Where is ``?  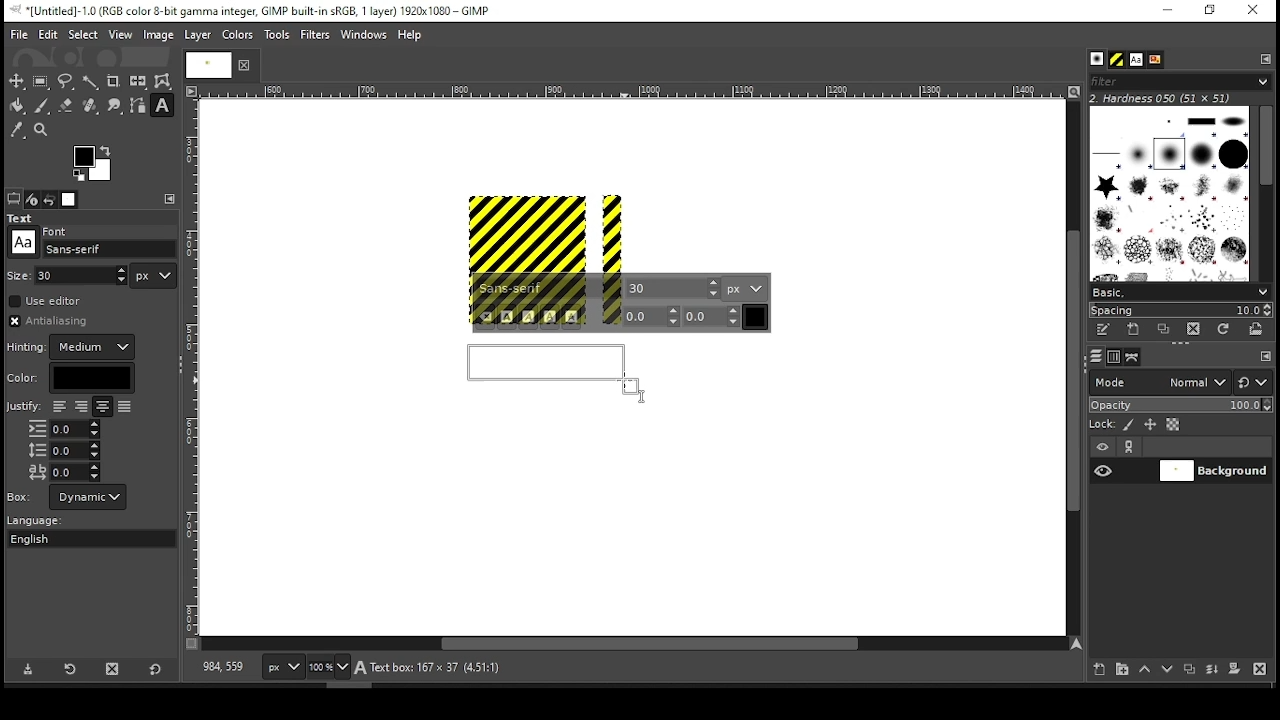
 is located at coordinates (629, 92).